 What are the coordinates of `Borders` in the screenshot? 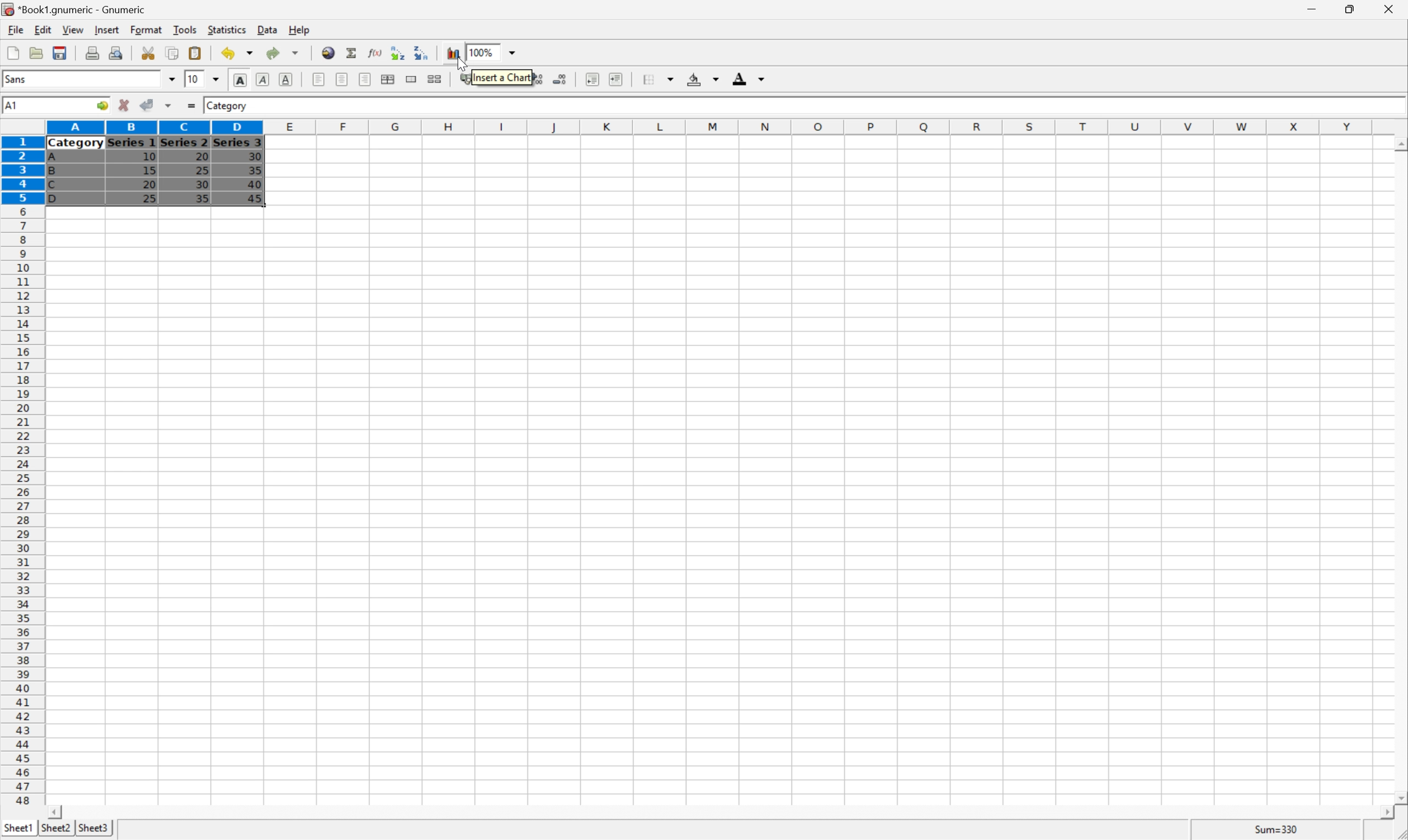 It's located at (661, 78).